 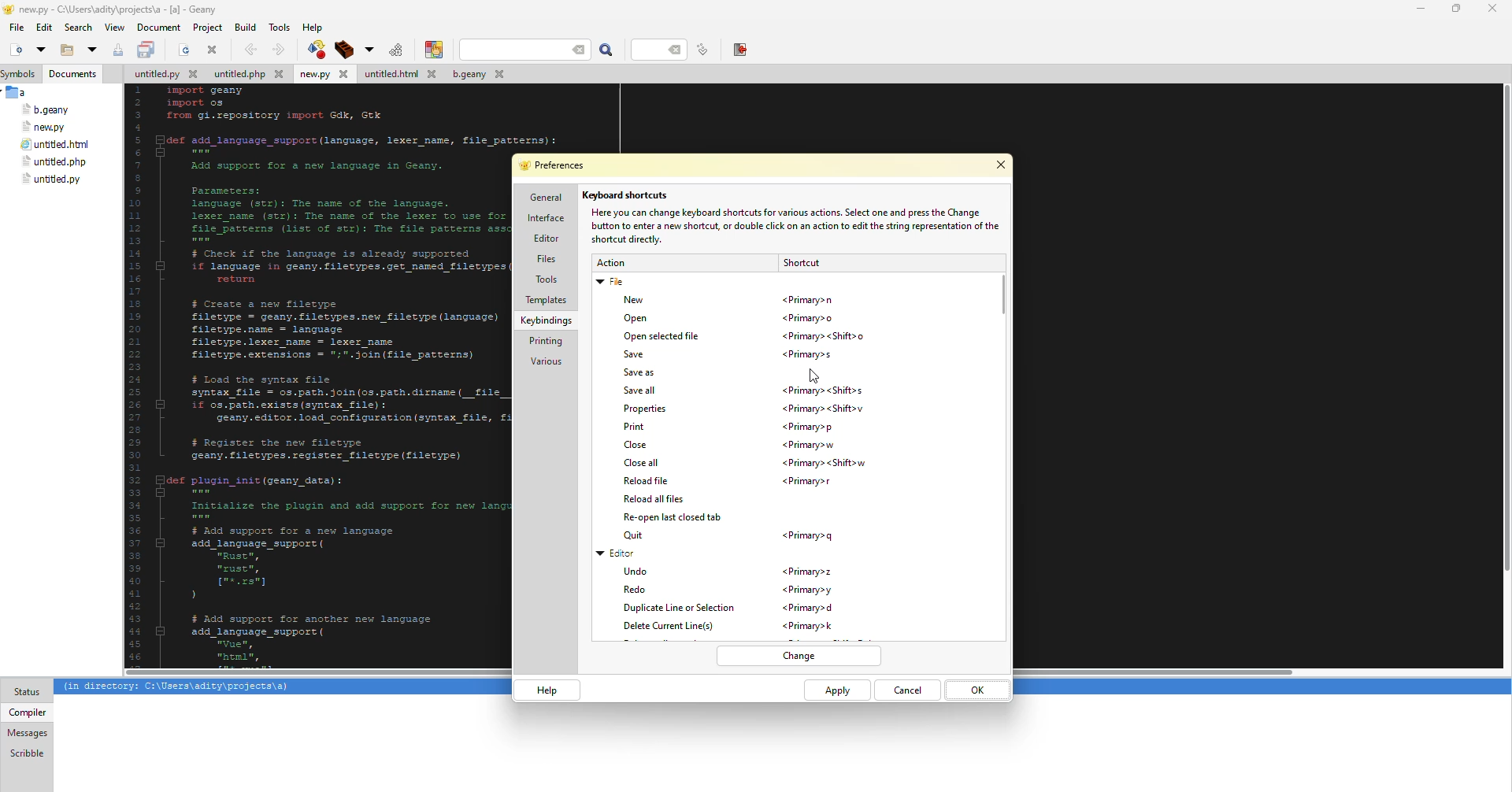 I want to click on code, so click(x=303, y=373).